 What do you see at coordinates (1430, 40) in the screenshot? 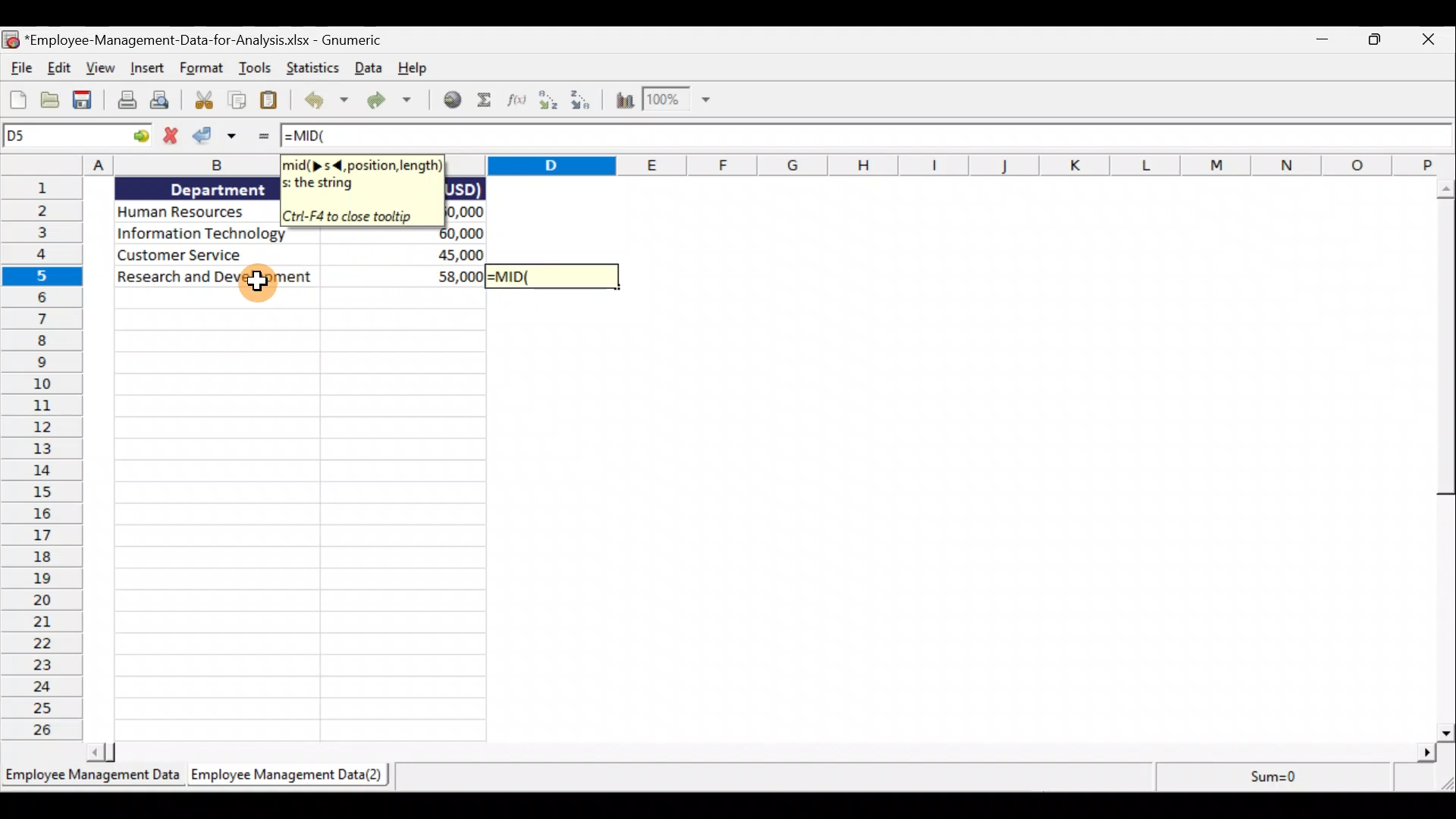
I see `Close` at bounding box center [1430, 40].